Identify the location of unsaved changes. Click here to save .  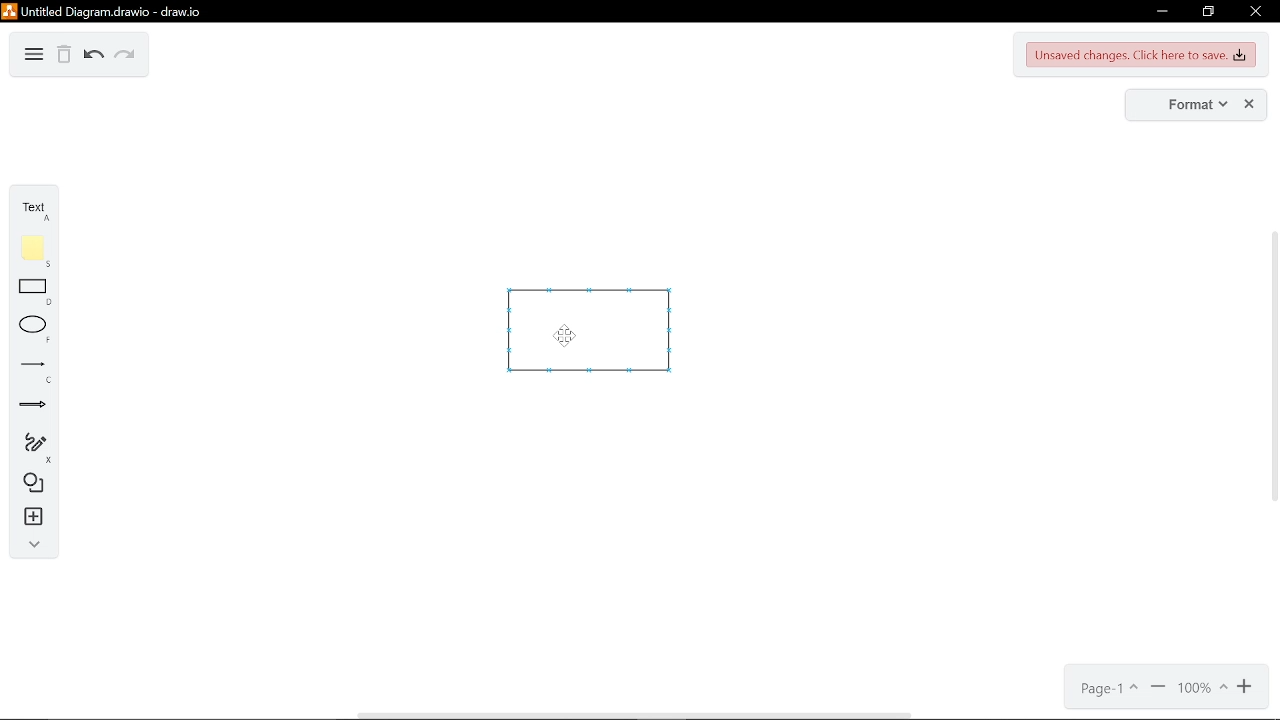
(1142, 55).